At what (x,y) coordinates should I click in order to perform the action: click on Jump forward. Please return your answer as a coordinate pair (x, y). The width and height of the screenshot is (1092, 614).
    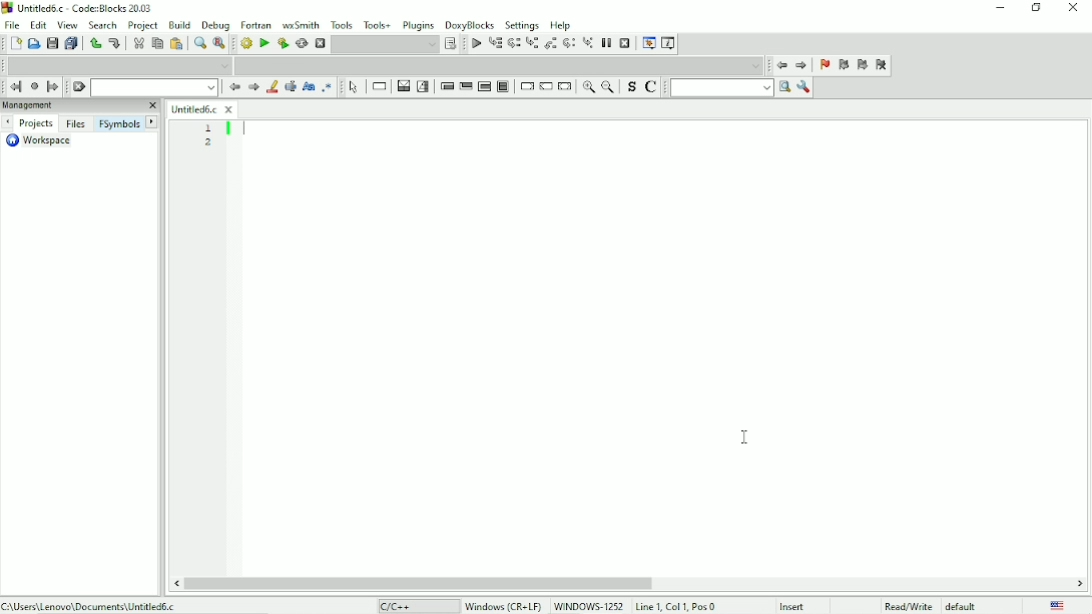
    Looking at the image, I should click on (802, 66).